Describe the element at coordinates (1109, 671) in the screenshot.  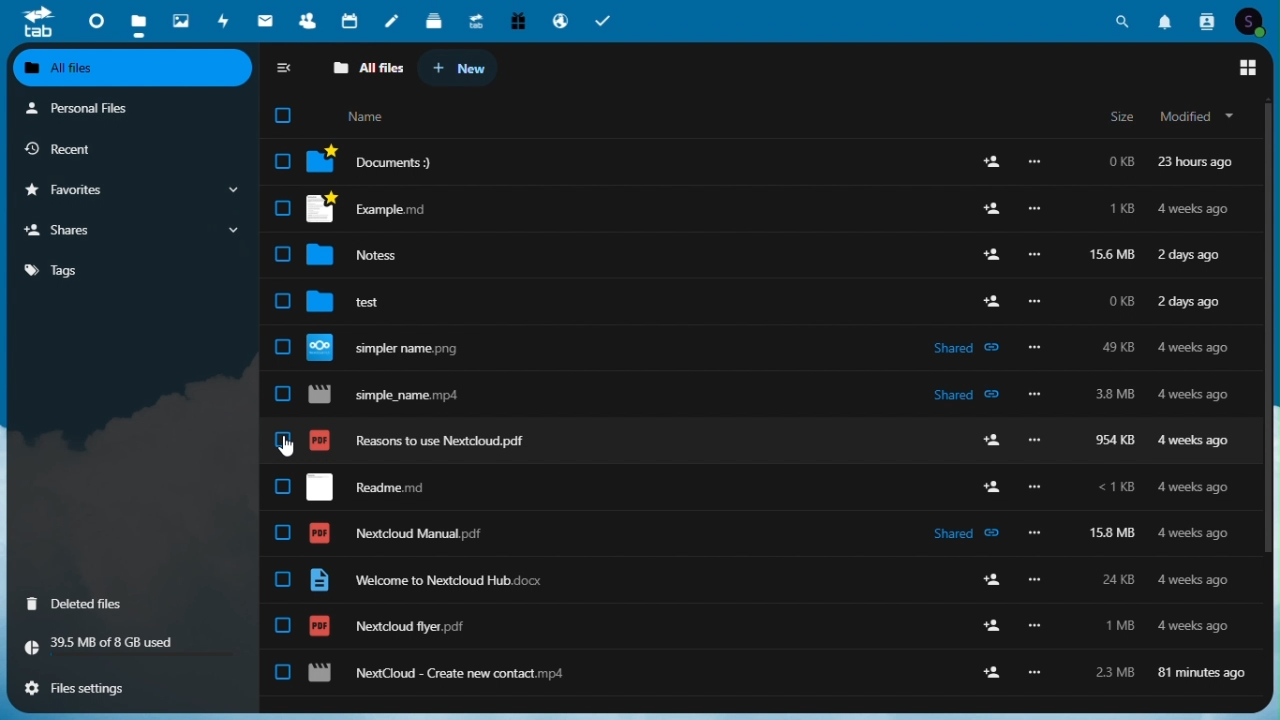
I see `2.3 mb` at that location.